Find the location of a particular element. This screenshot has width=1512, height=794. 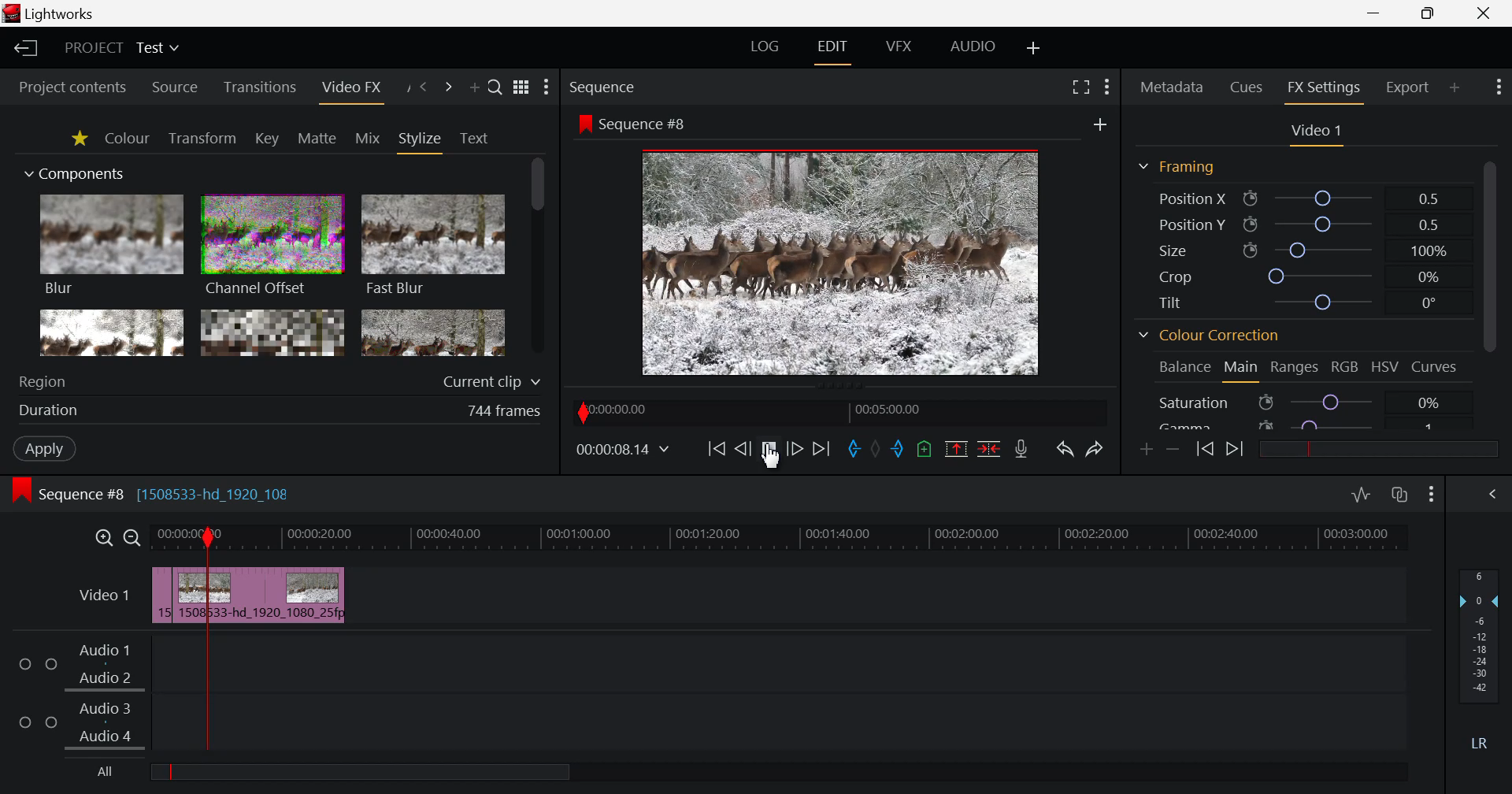

Remove marked section is located at coordinates (958, 451).